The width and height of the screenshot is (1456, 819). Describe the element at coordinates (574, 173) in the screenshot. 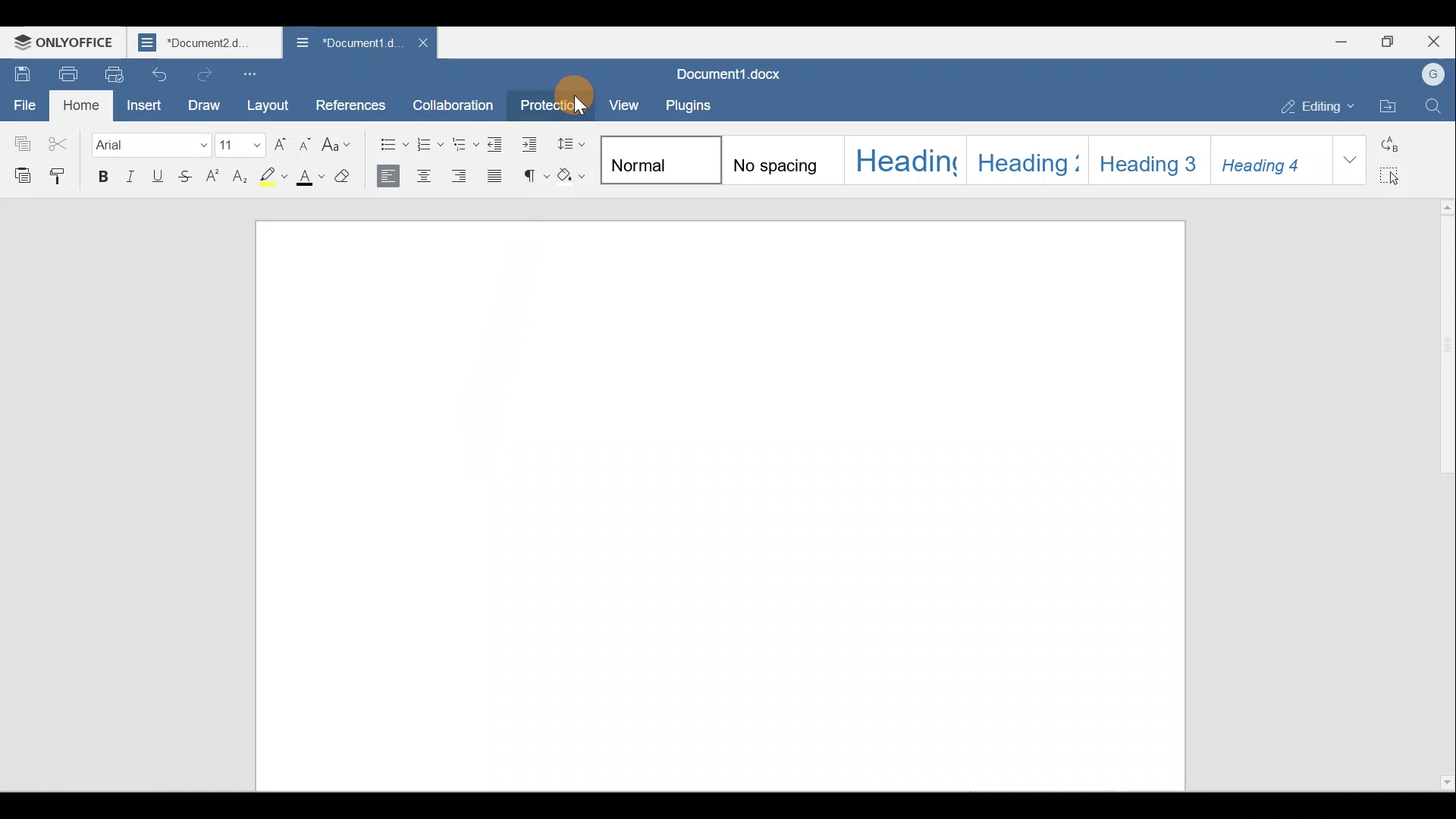

I see `Shading` at that location.